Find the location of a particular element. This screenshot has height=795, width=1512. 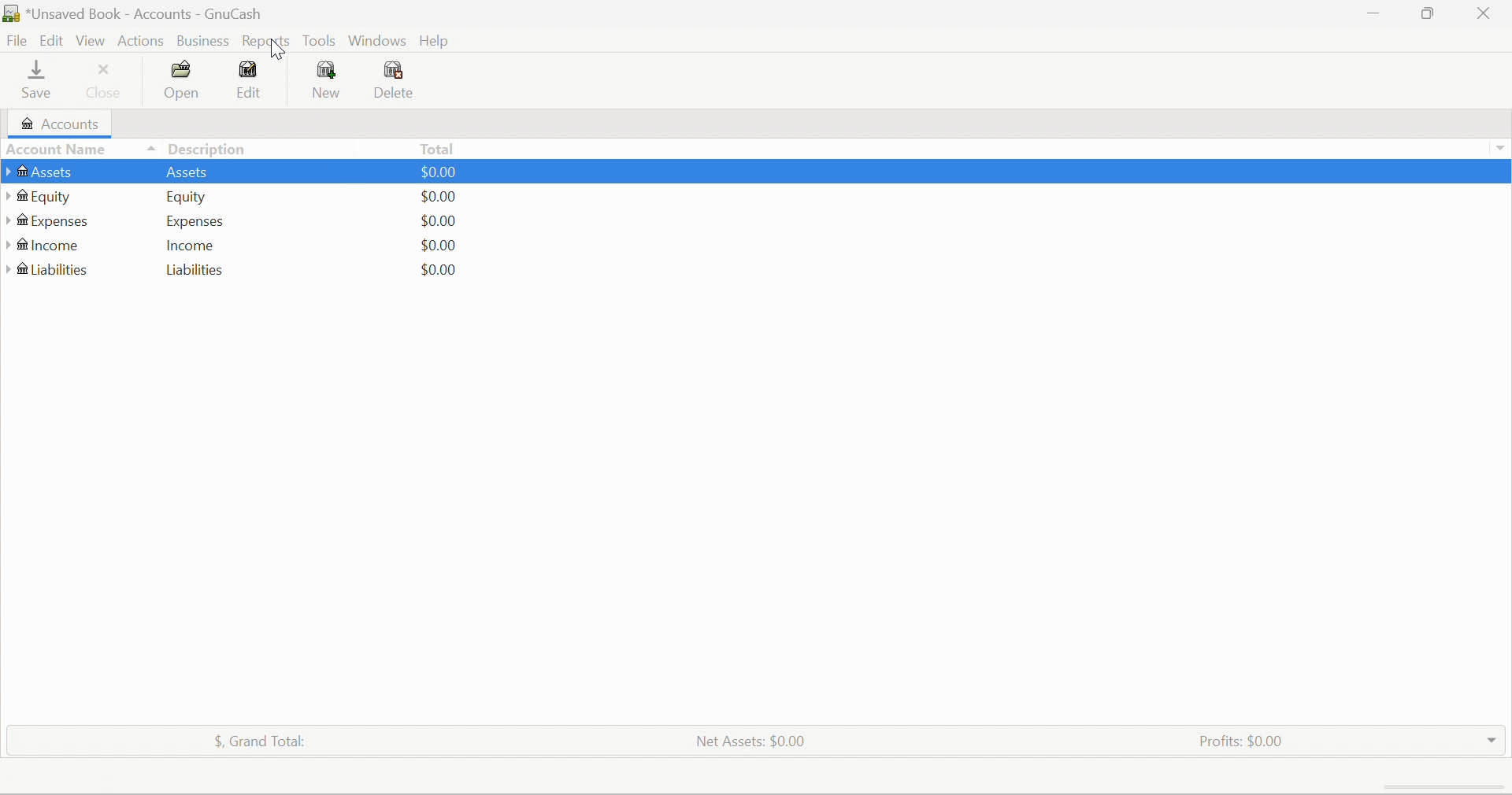

View is located at coordinates (93, 42).